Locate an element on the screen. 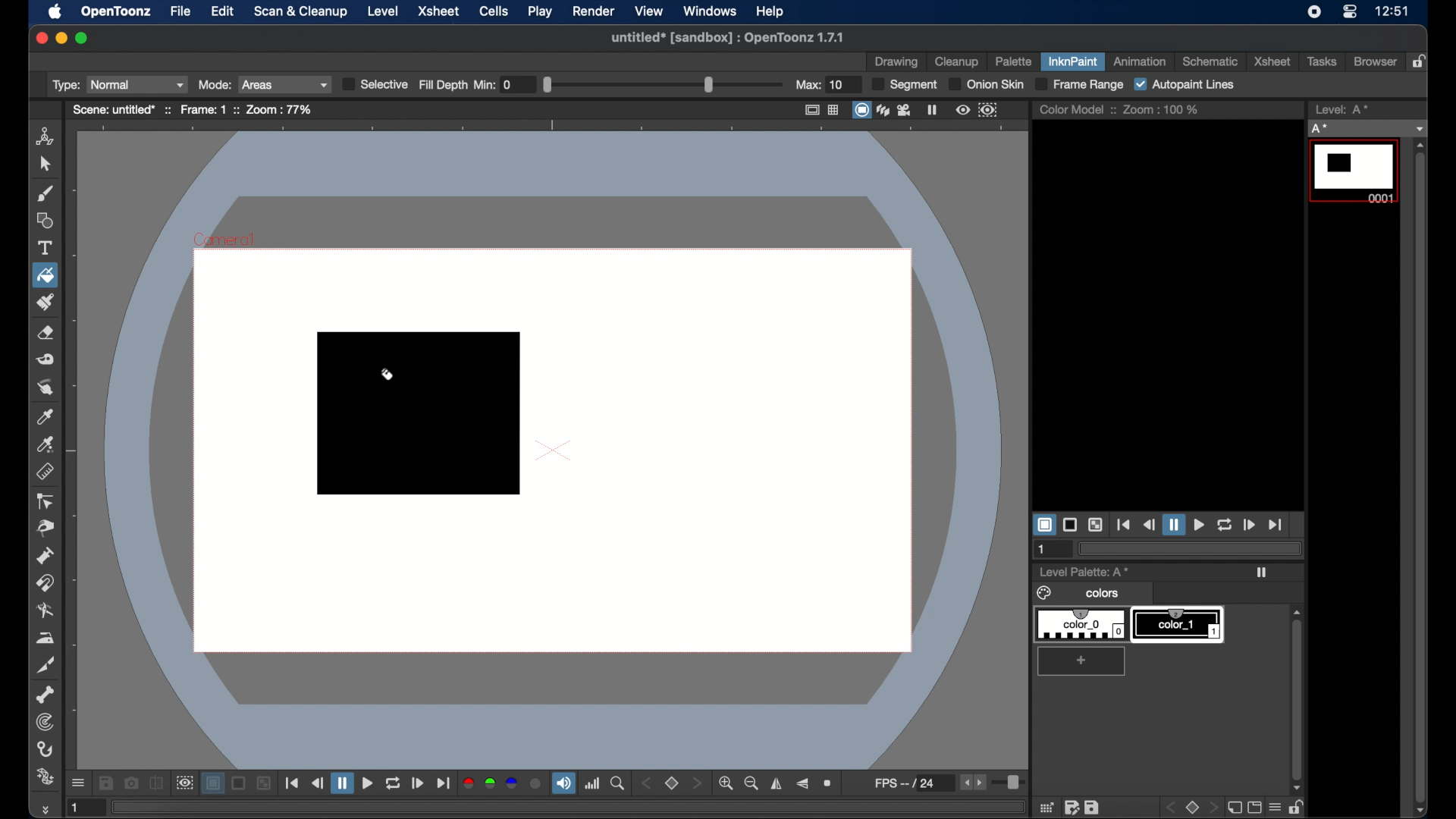 The height and width of the screenshot is (819, 1456). fill tool is located at coordinates (45, 276).